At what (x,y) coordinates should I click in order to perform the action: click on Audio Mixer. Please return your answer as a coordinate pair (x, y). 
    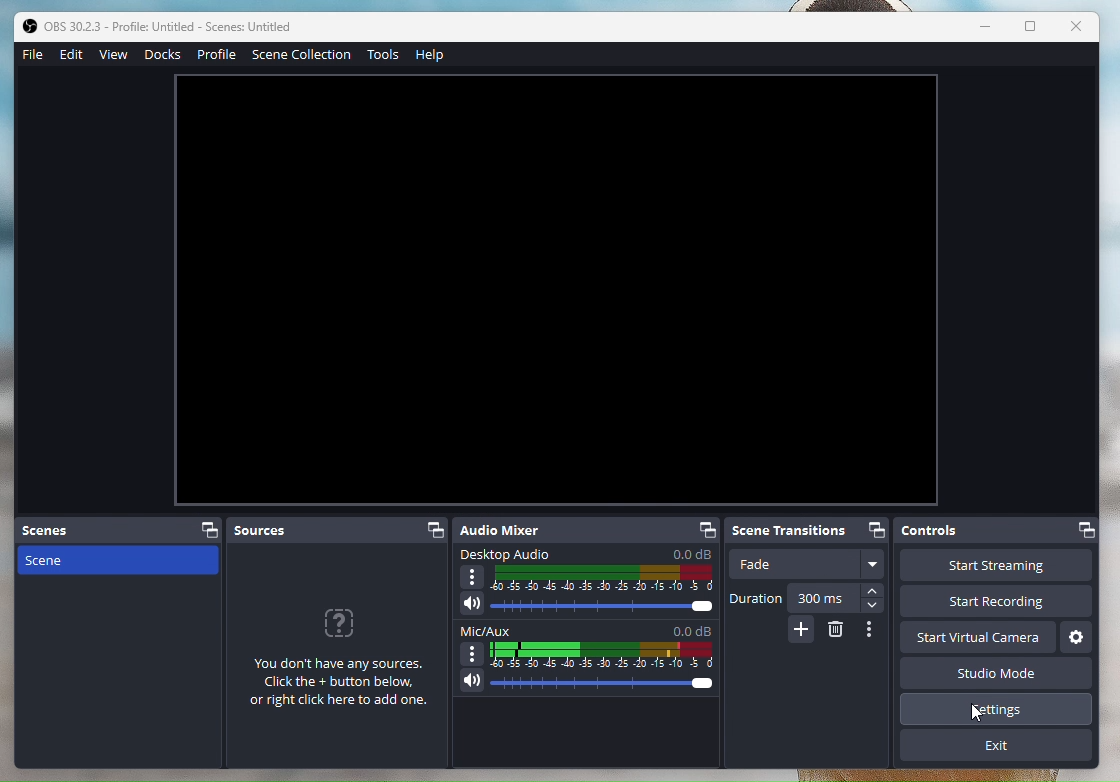
    Looking at the image, I should click on (588, 531).